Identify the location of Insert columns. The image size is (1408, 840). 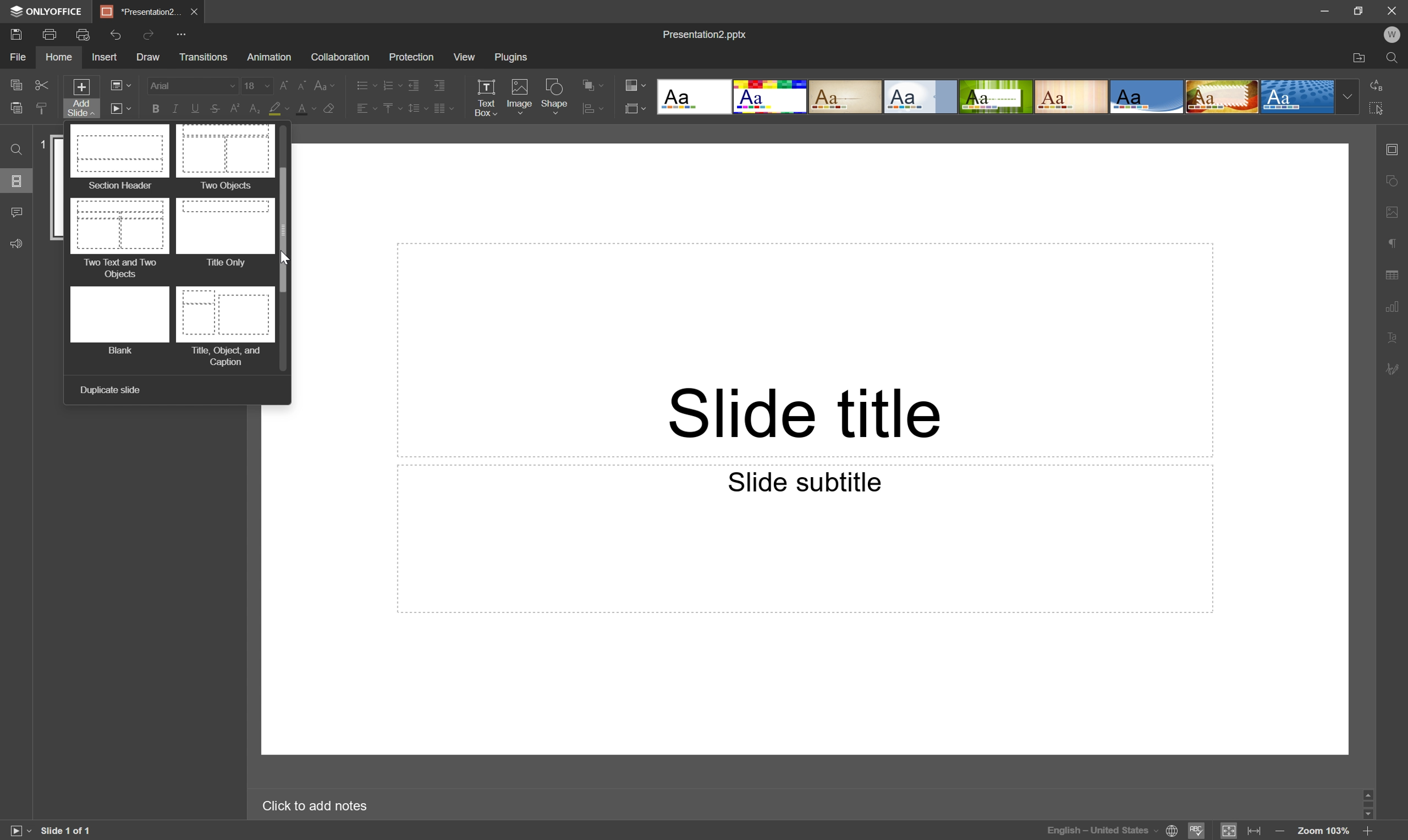
(444, 109).